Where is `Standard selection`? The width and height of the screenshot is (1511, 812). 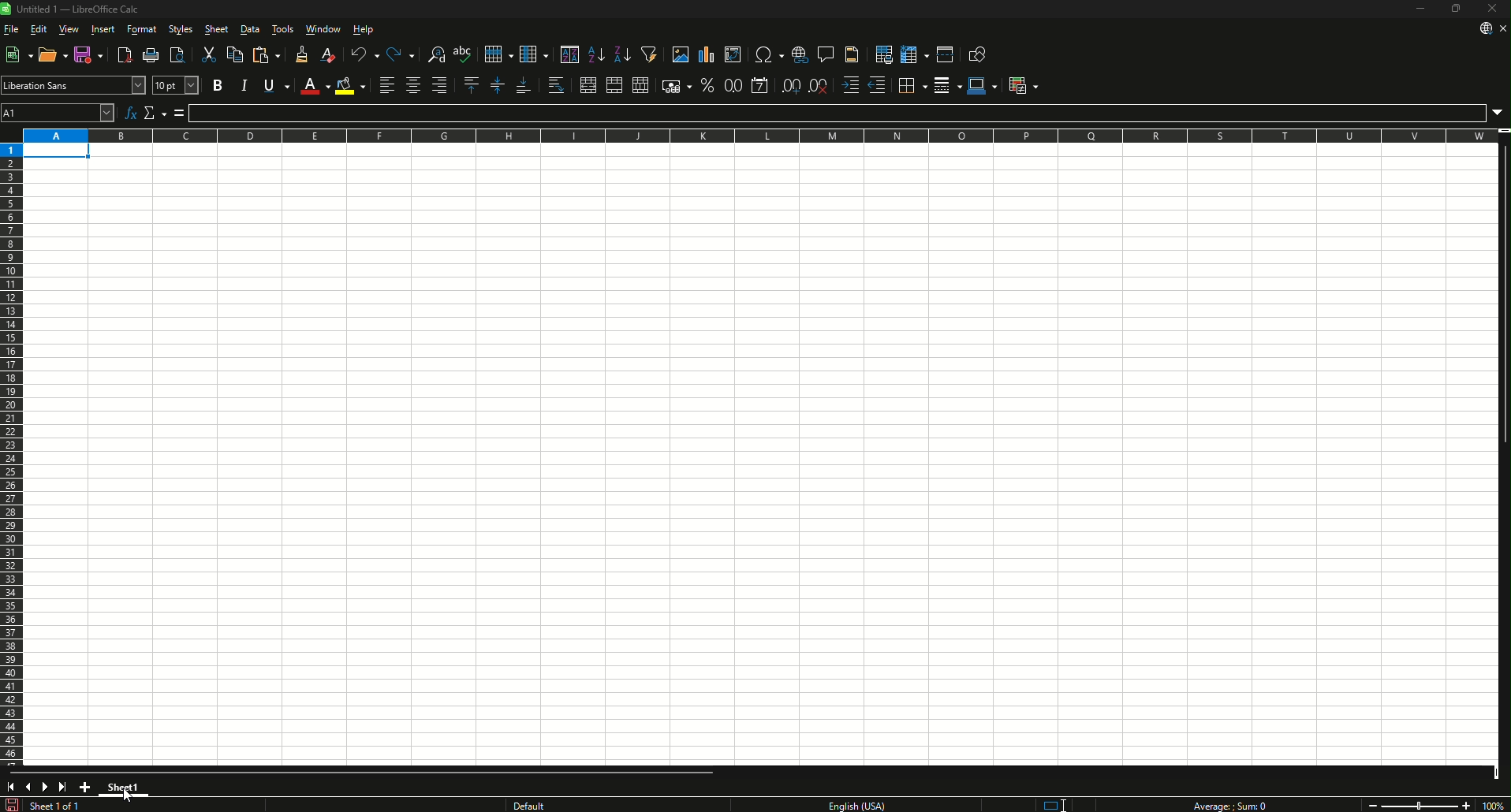 Standard selection is located at coordinates (1054, 805).